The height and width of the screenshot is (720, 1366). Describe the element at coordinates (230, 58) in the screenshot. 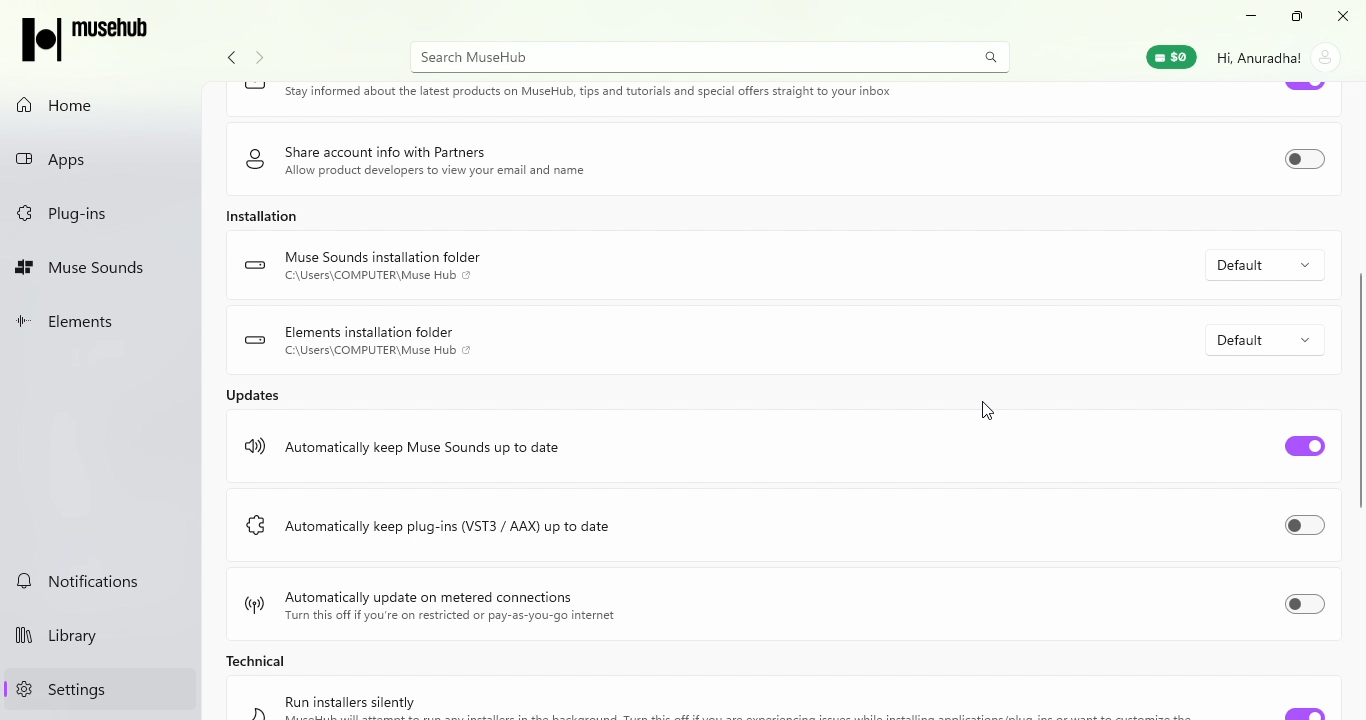

I see `Navigate back` at that location.